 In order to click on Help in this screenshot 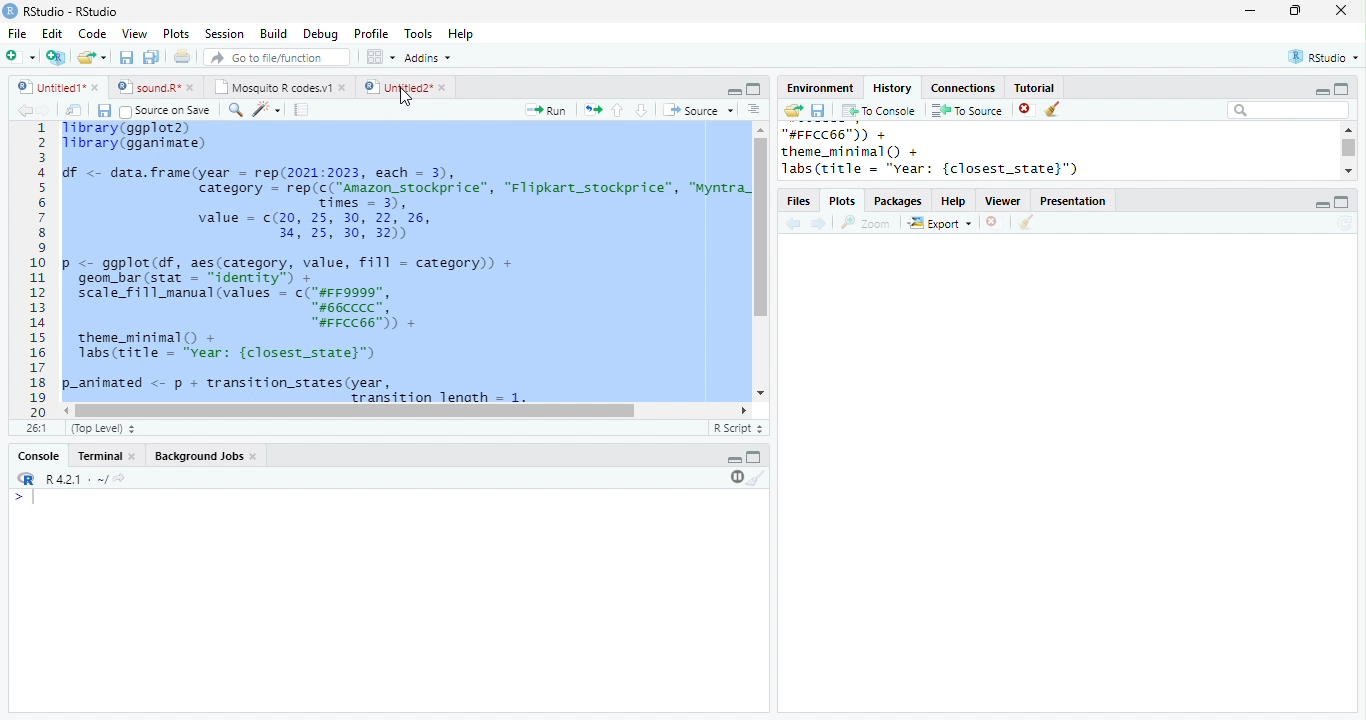, I will do `click(953, 201)`.